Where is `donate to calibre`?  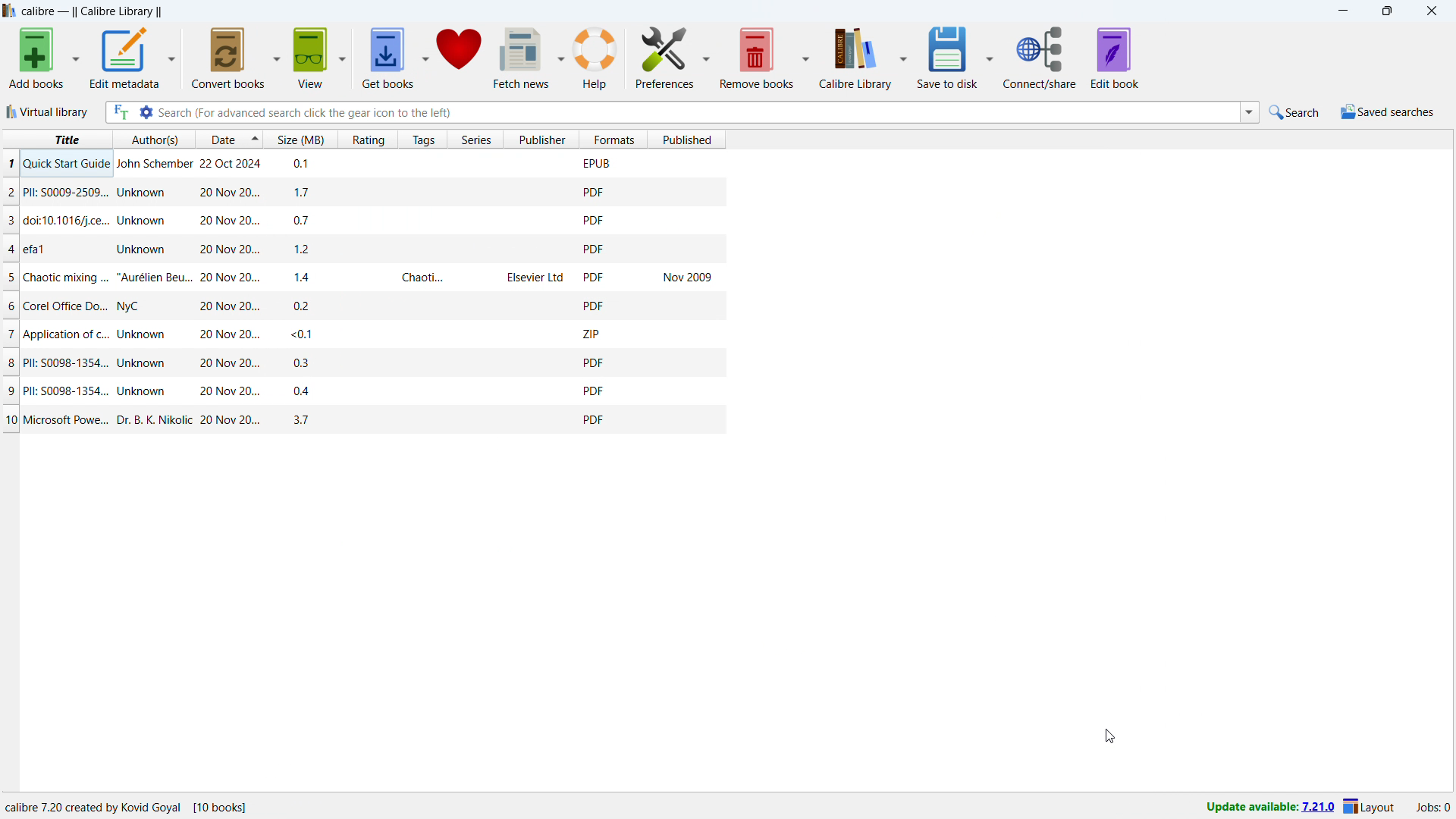 donate to calibre is located at coordinates (459, 58).